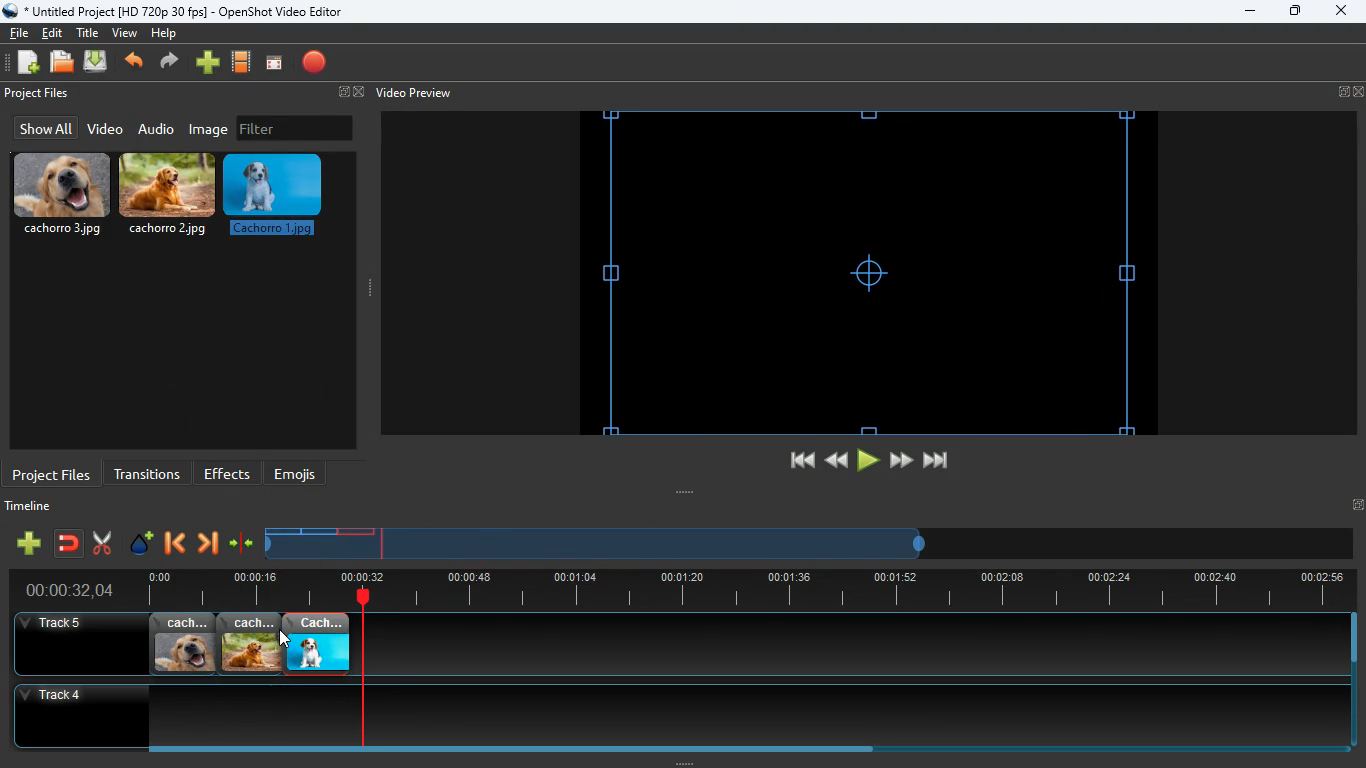  I want to click on timeline, so click(740, 590).